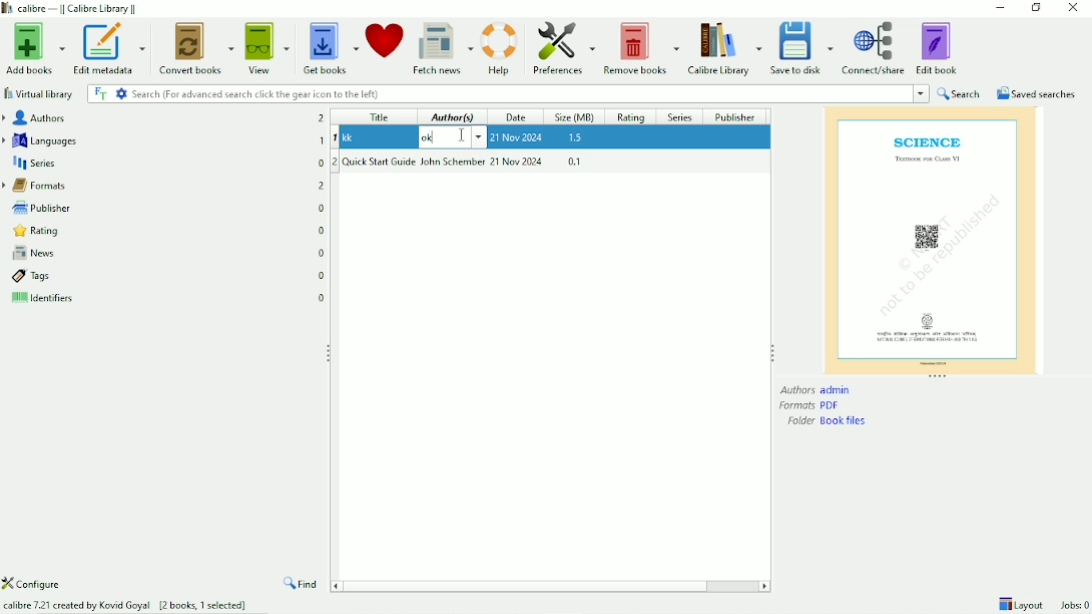 The height and width of the screenshot is (614, 1092). What do you see at coordinates (1036, 93) in the screenshot?
I see `Saved searches` at bounding box center [1036, 93].